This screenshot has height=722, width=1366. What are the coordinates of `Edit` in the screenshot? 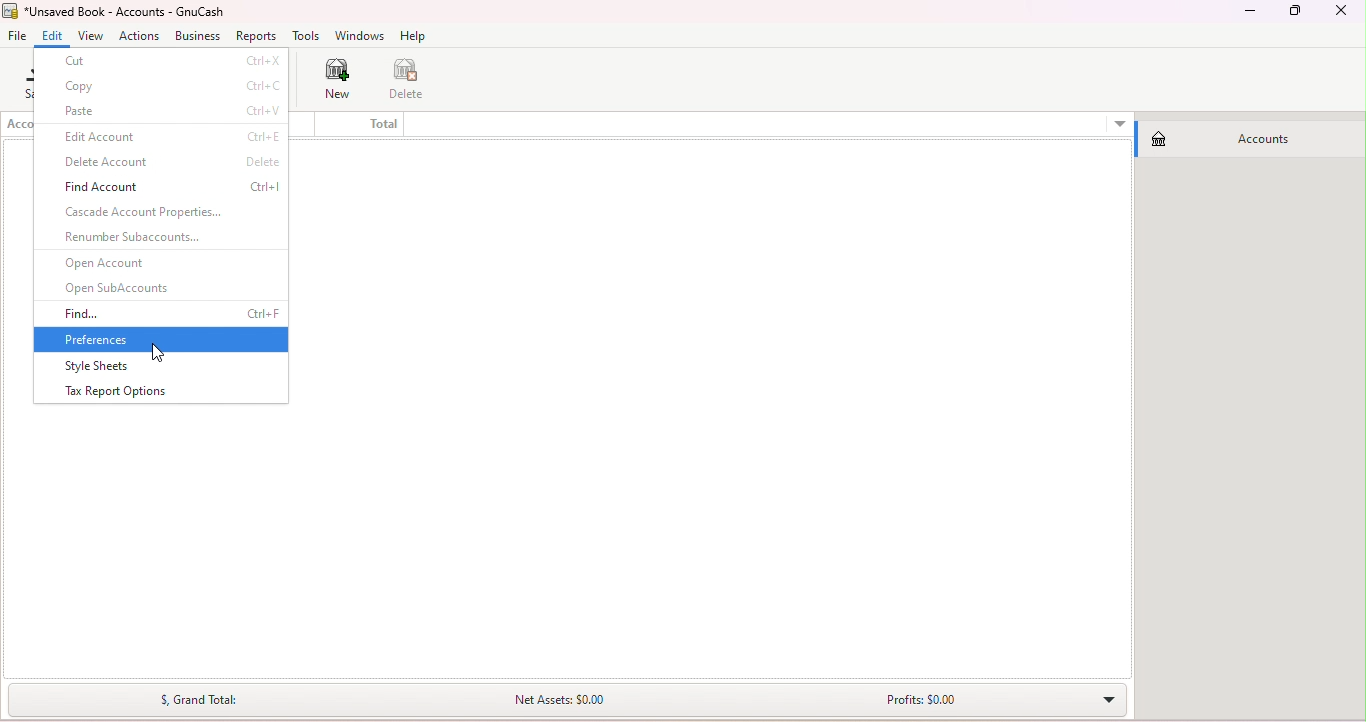 It's located at (52, 35).